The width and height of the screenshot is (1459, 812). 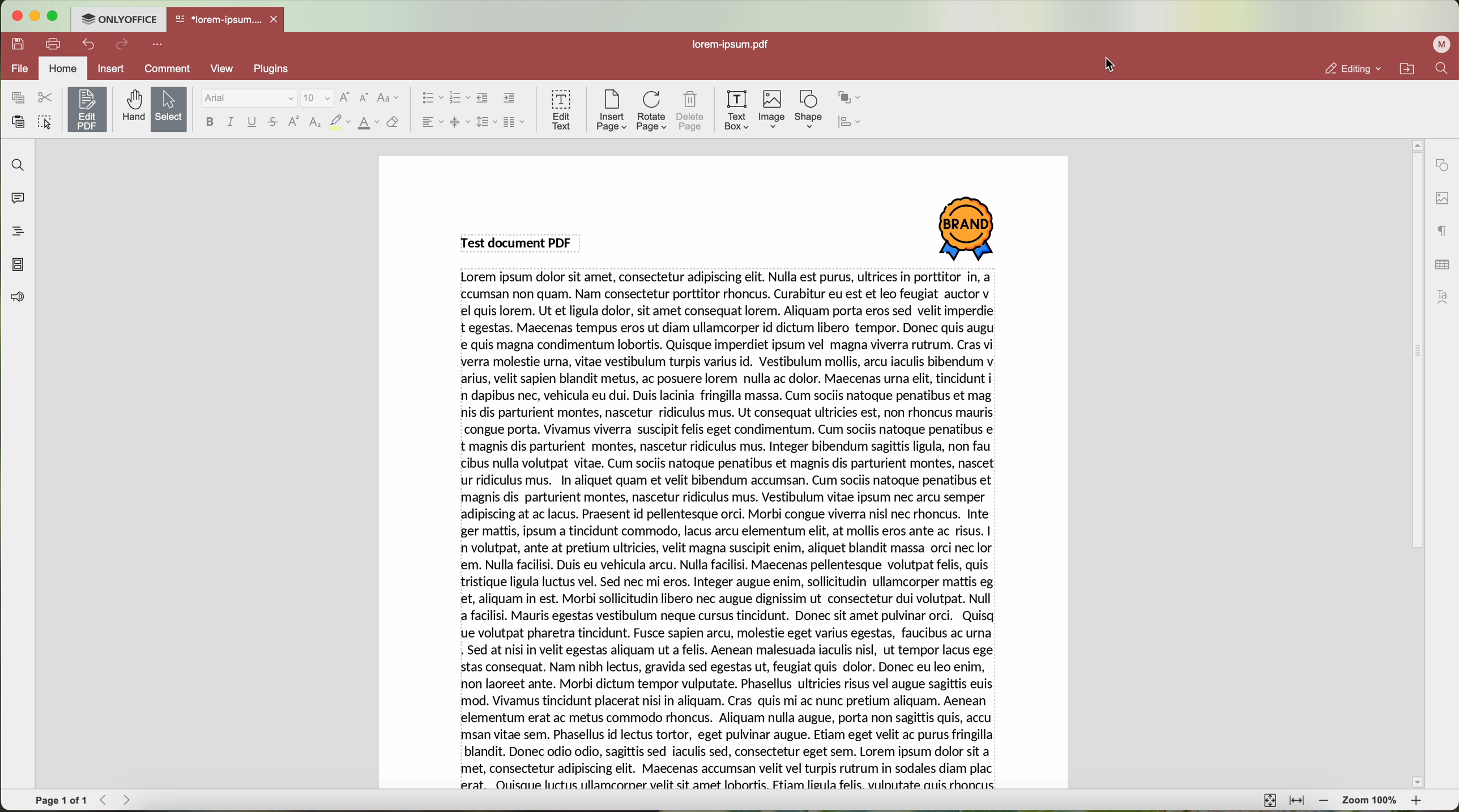 I want to click on image, so click(x=967, y=228).